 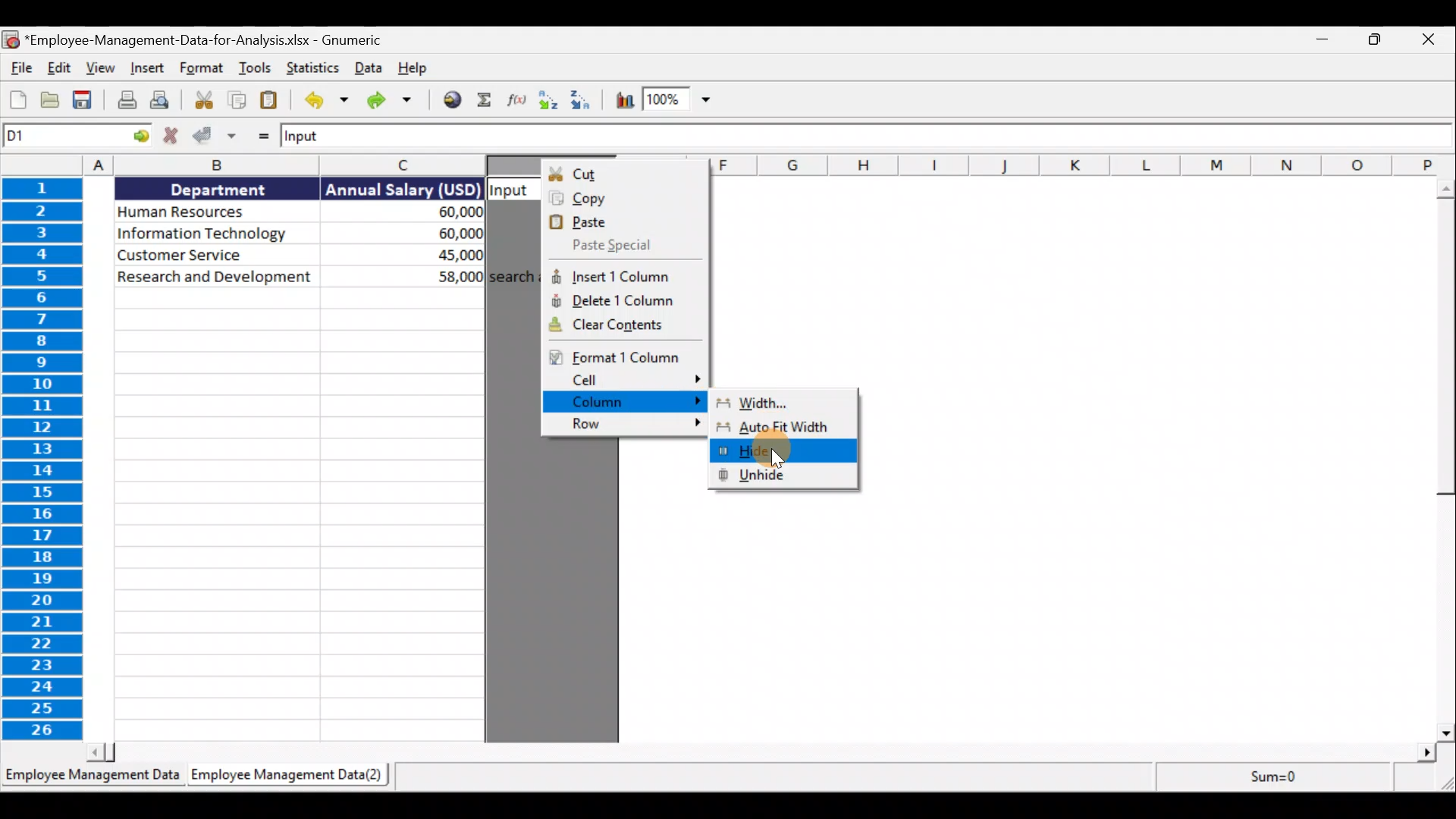 What do you see at coordinates (765, 750) in the screenshot?
I see `Scroll bar` at bounding box center [765, 750].